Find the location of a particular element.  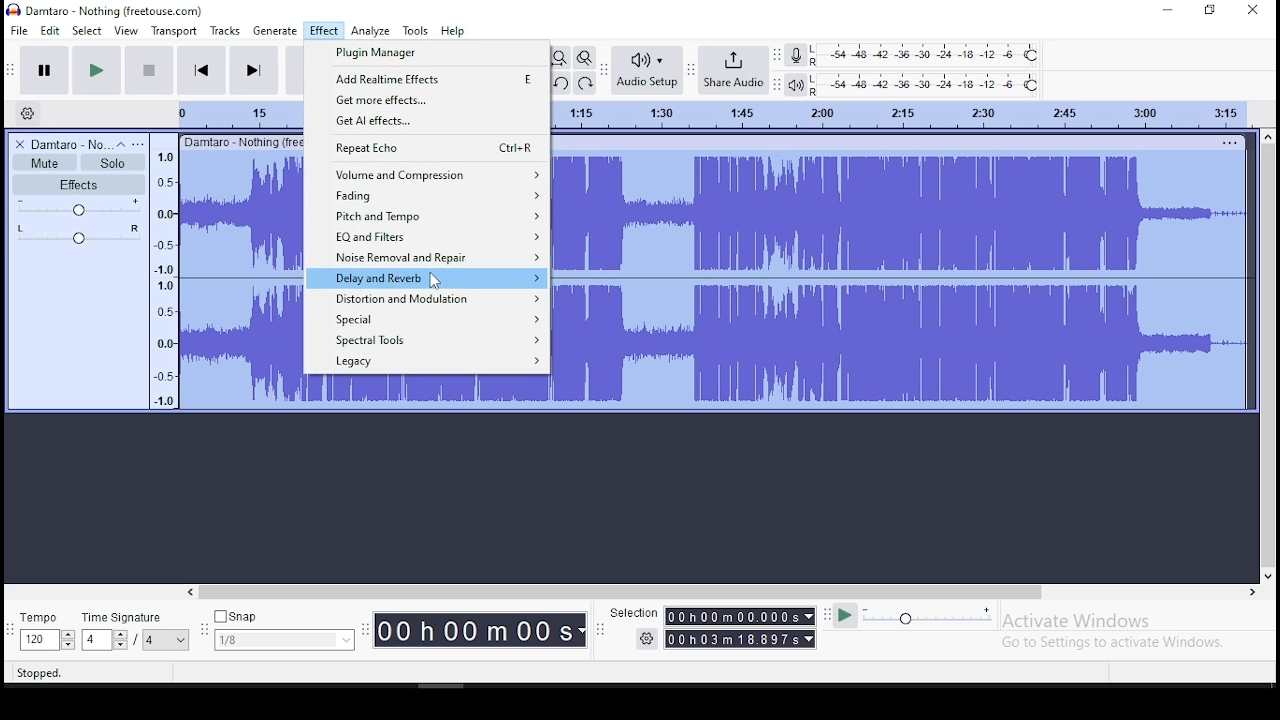

analyze is located at coordinates (370, 32).